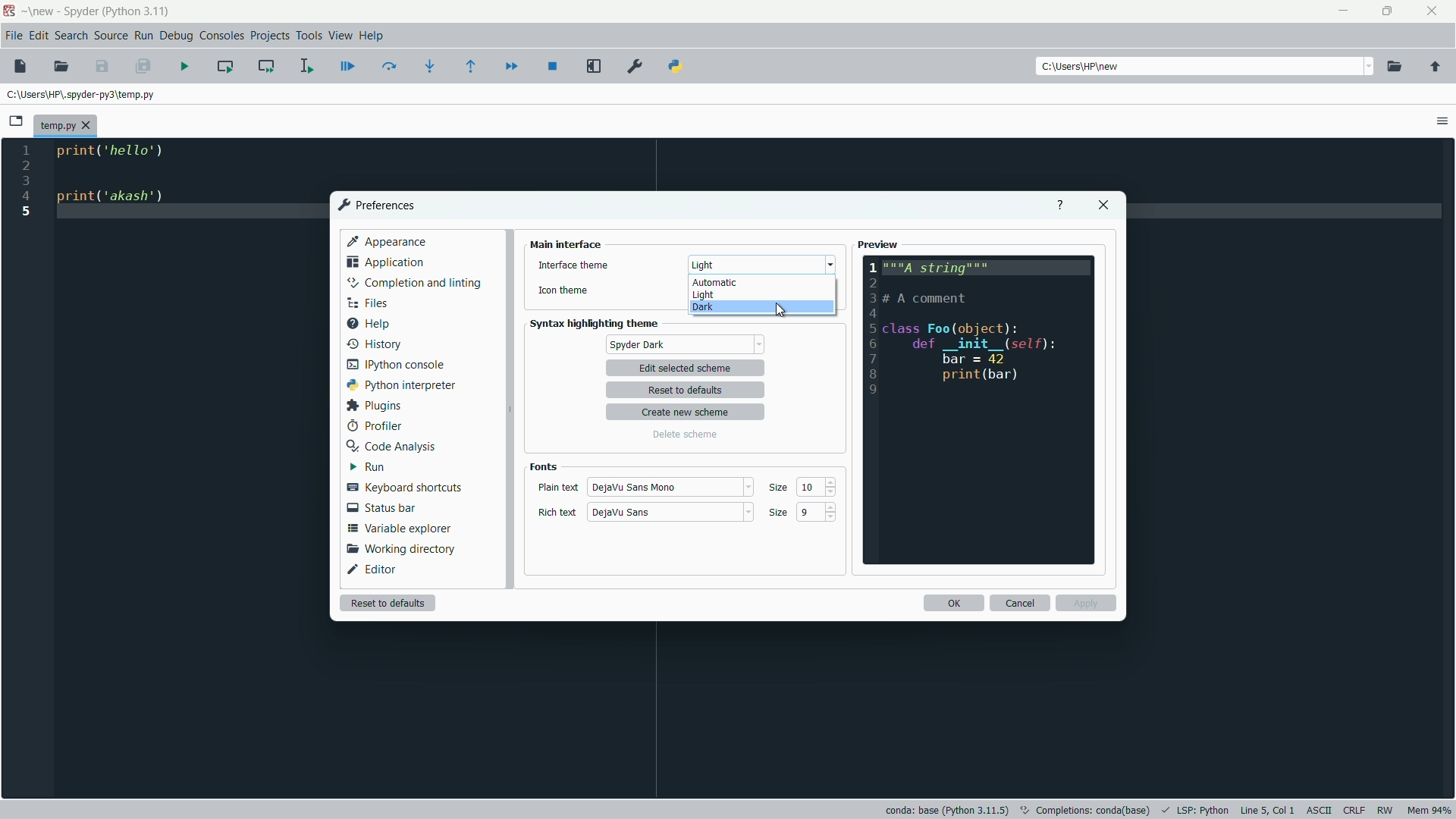 The height and width of the screenshot is (819, 1456). Describe the element at coordinates (224, 35) in the screenshot. I see `consoles menu` at that location.